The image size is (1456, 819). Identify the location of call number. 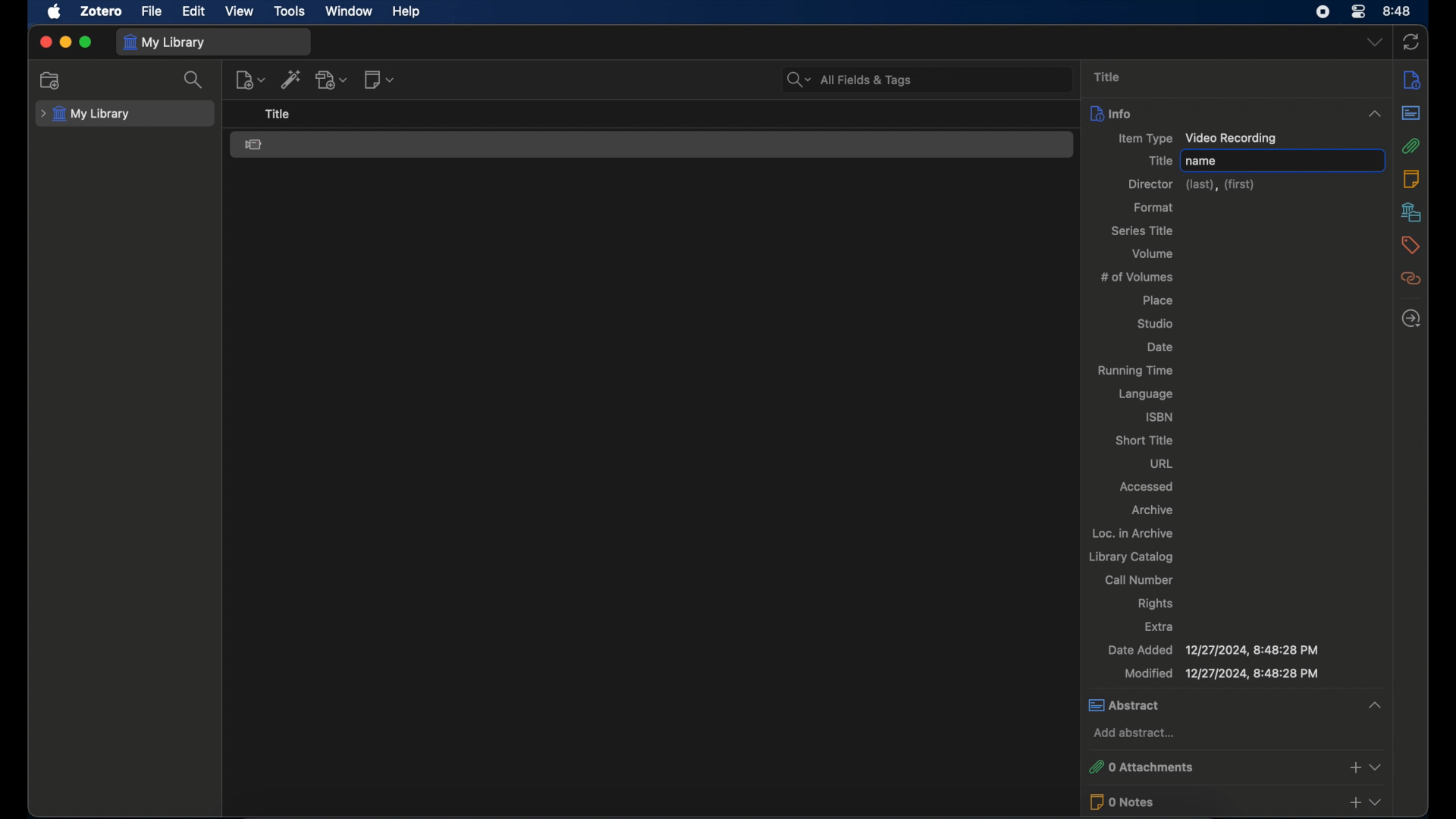
(1141, 579).